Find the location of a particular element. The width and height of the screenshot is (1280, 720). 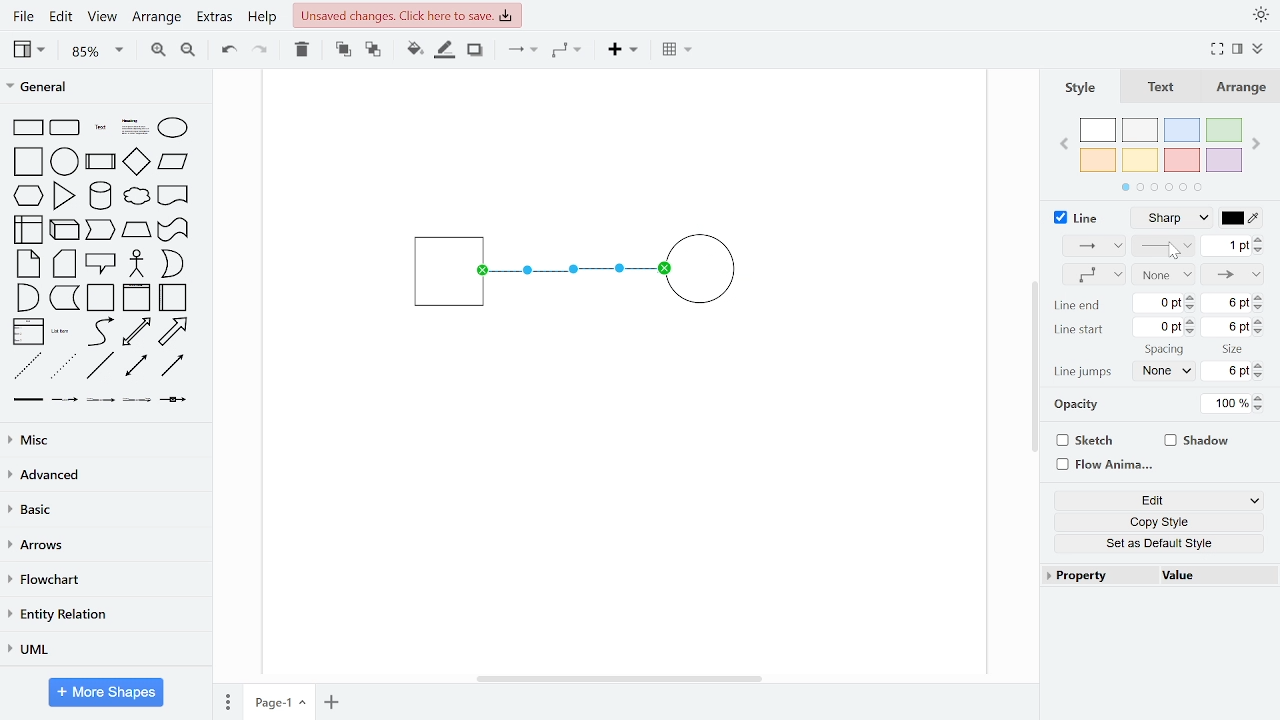

data storage is located at coordinates (65, 297).